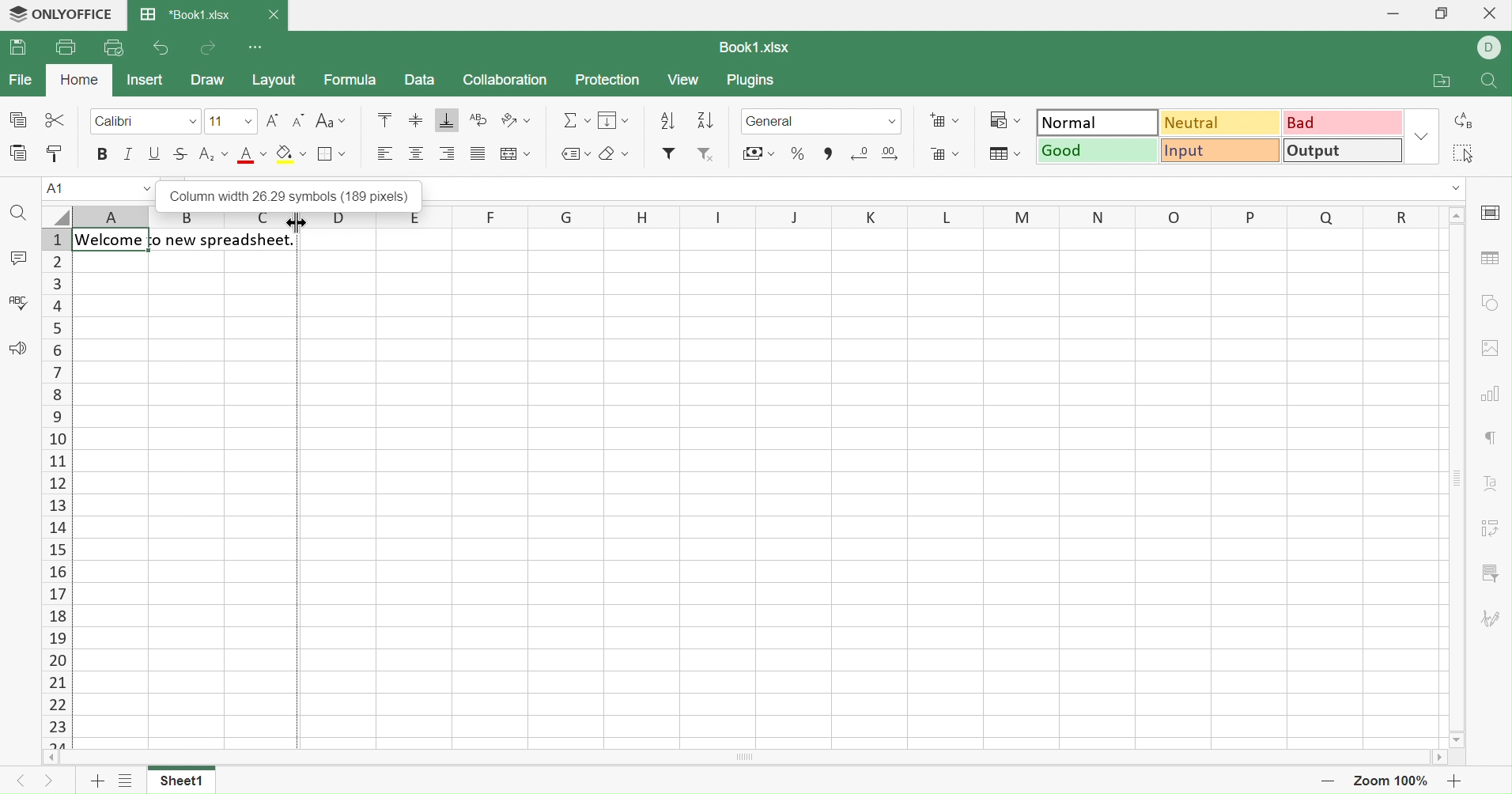 This screenshot has height=794, width=1512. Describe the element at coordinates (708, 157) in the screenshot. I see `Remove style` at that location.